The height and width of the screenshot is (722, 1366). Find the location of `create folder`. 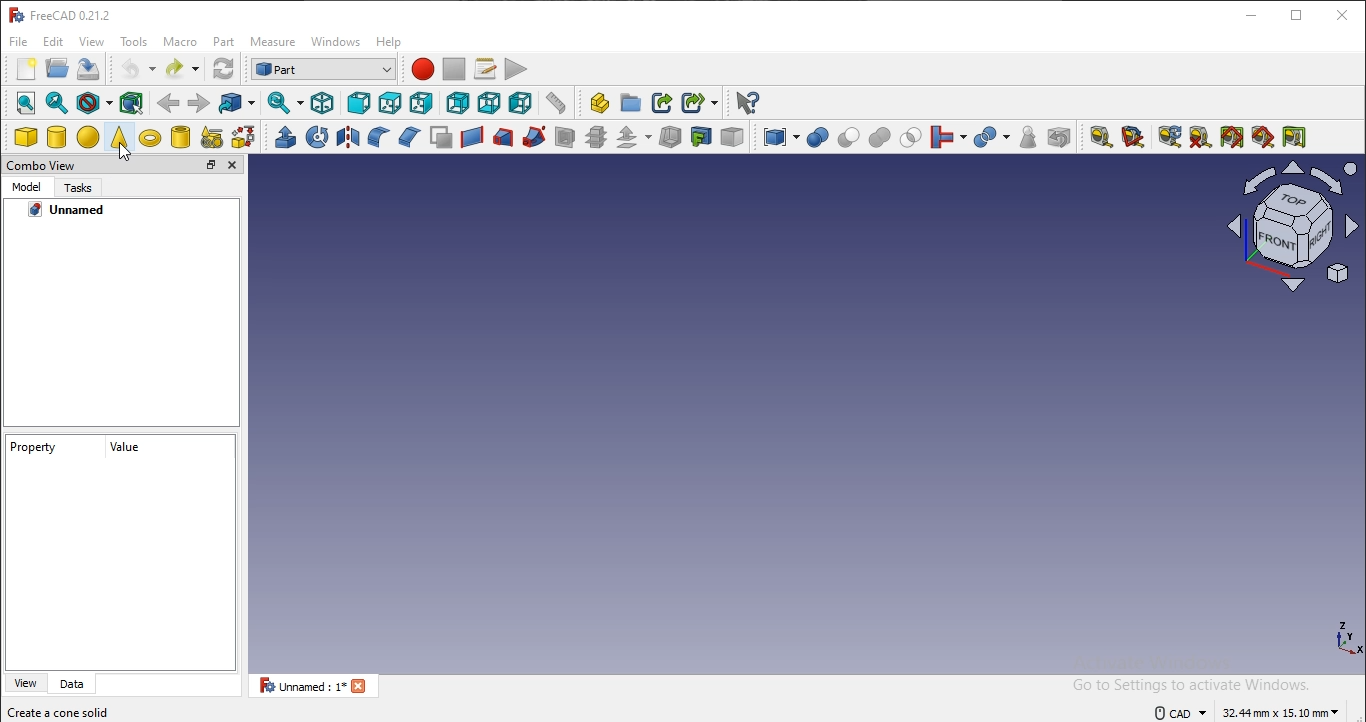

create folder is located at coordinates (633, 101).